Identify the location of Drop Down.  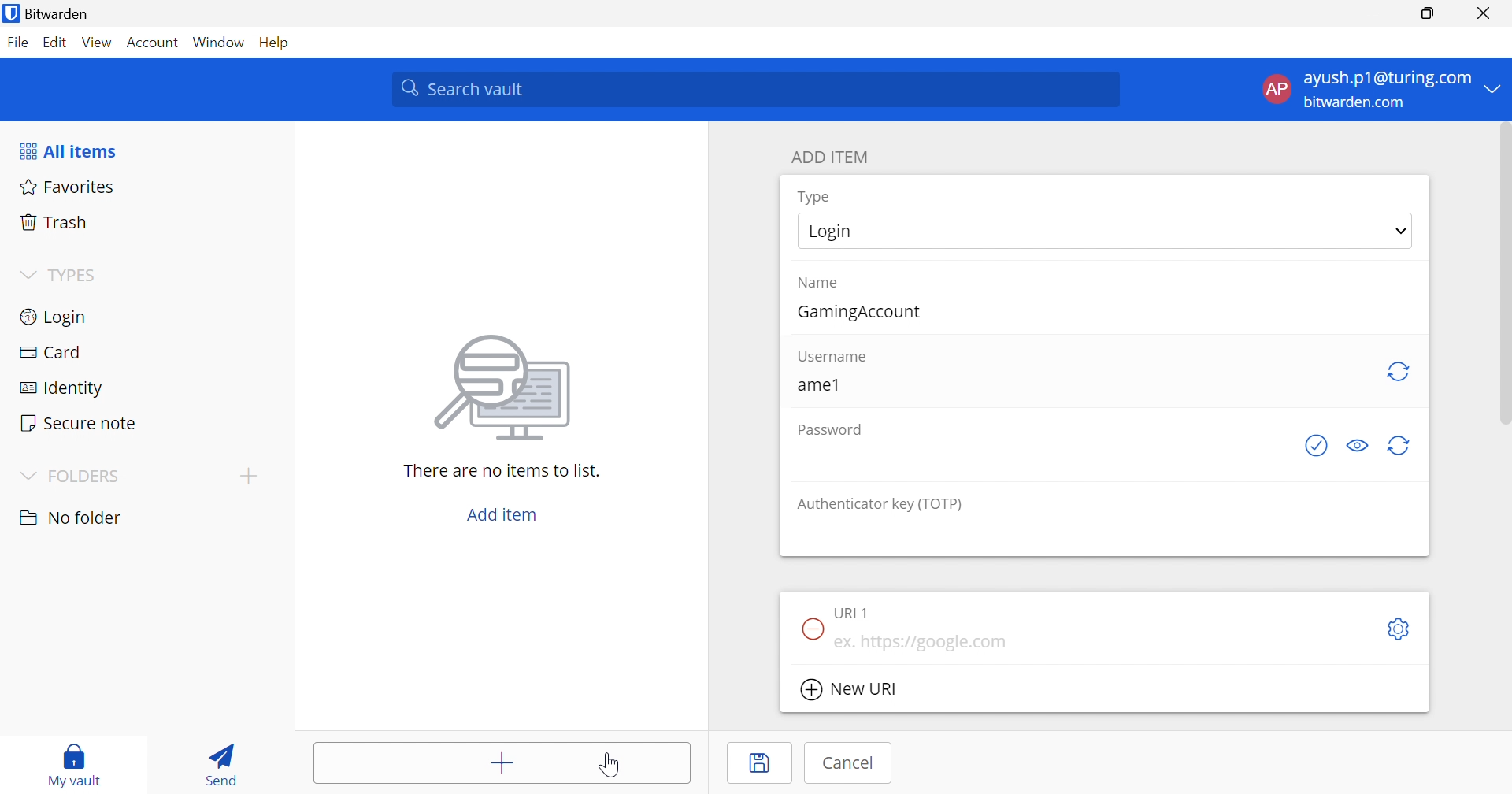
(27, 275).